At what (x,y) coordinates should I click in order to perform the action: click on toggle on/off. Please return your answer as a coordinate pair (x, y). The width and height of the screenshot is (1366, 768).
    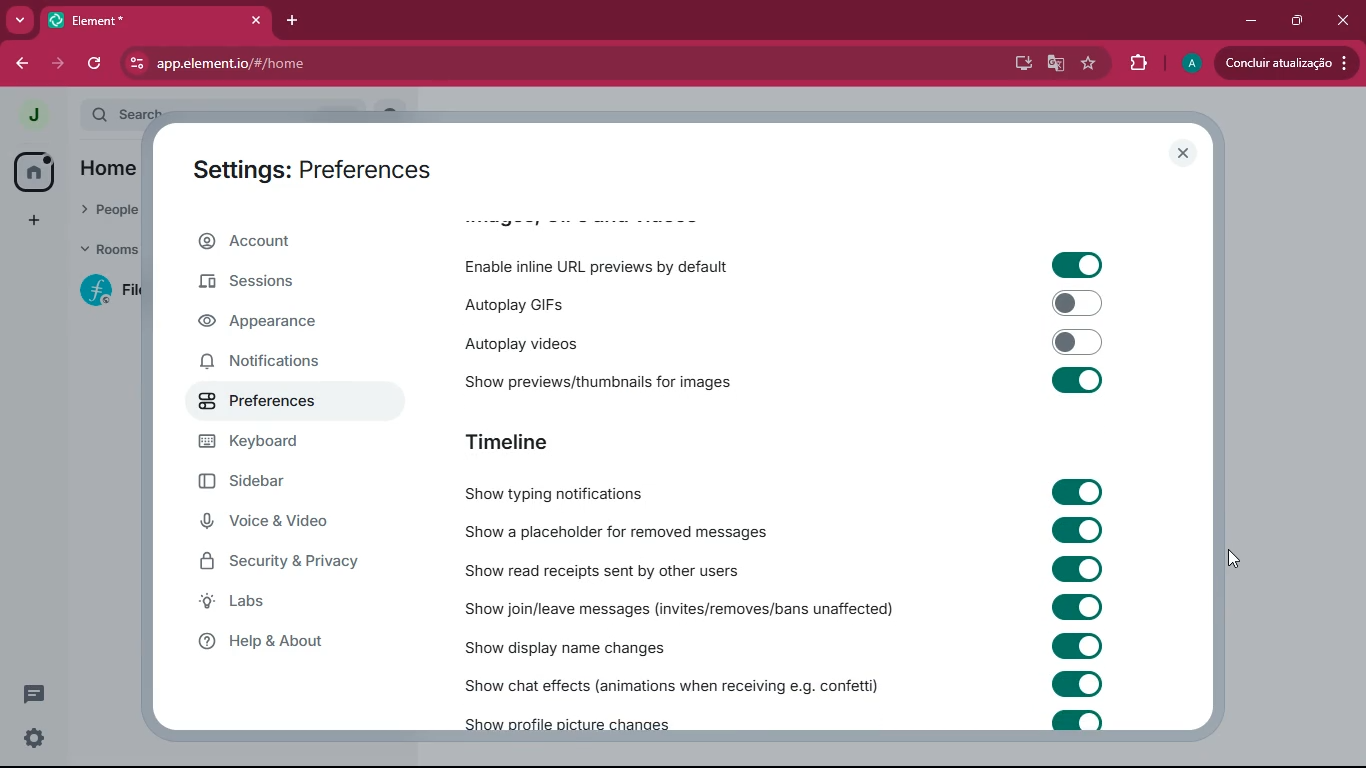
    Looking at the image, I should click on (1077, 265).